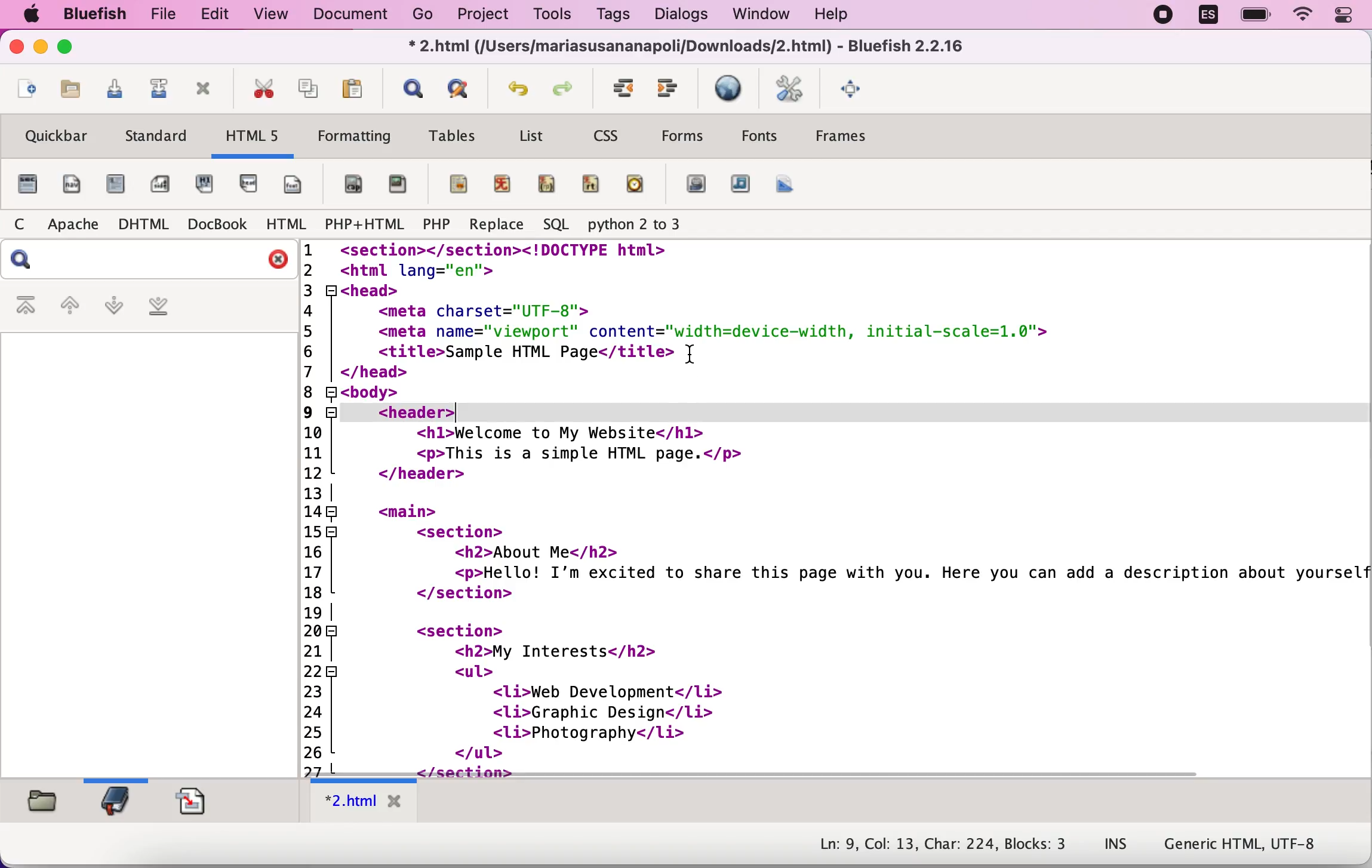 The height and width of the screenshot is (868, 1372). What do you see at coordinates (353, 184) in the screenshot?
I see `figure caption` at bounding box center [353, 184].